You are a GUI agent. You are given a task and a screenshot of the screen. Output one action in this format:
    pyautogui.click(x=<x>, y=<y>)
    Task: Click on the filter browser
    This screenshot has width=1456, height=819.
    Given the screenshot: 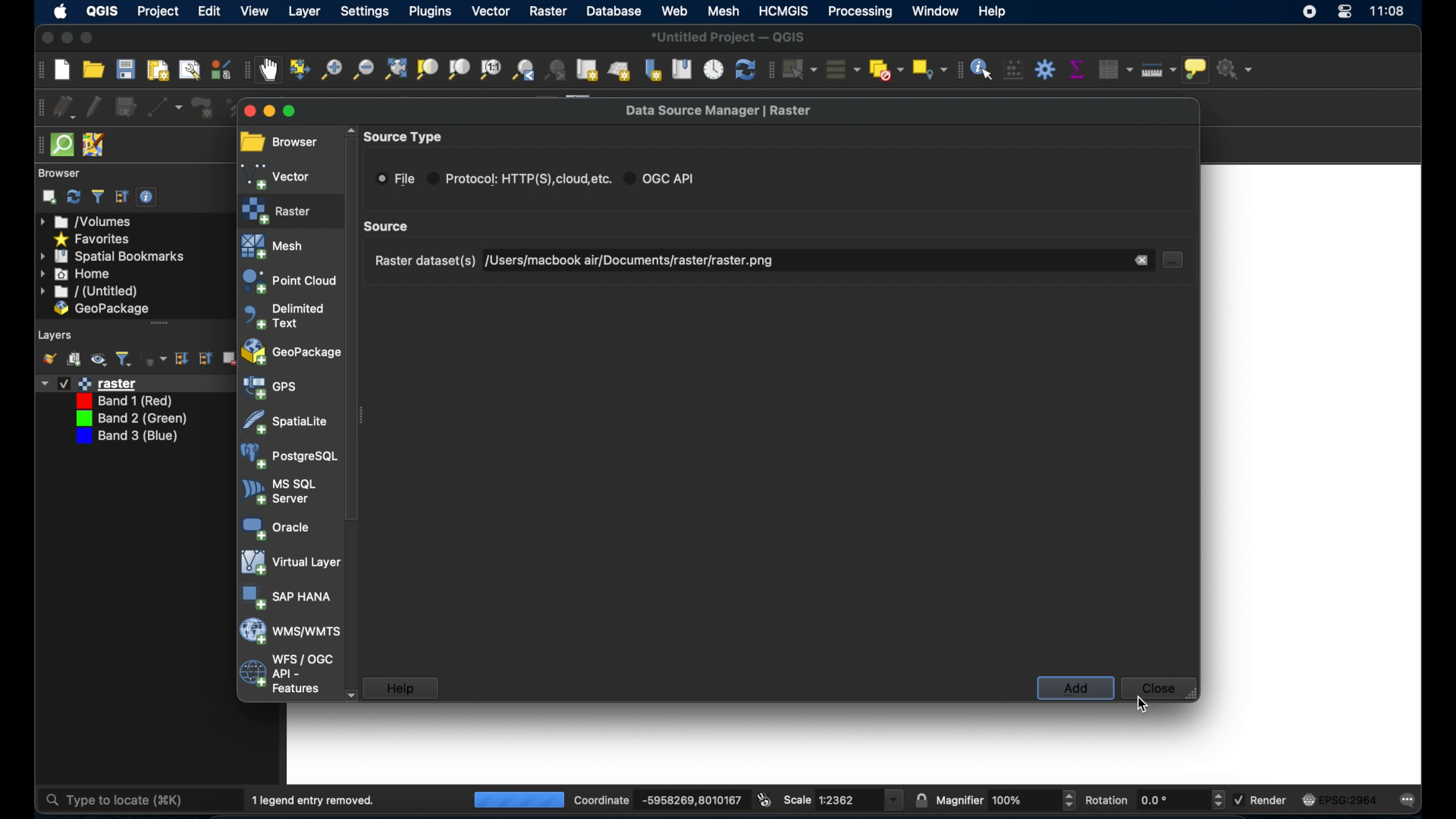 What is the action you would take?
    pyautogui.click(x=98, y=196)
    